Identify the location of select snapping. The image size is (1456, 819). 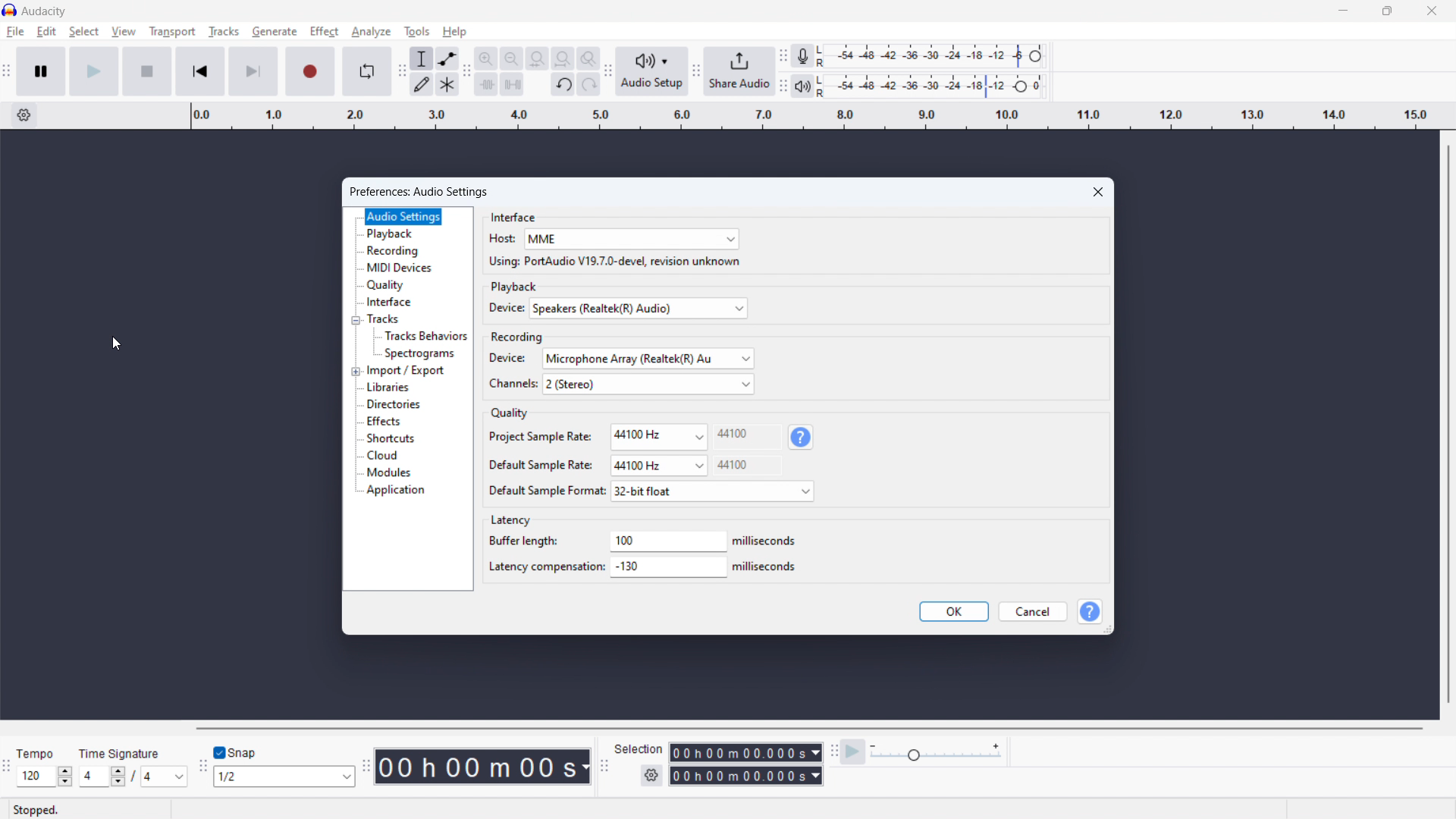
(284, 777).